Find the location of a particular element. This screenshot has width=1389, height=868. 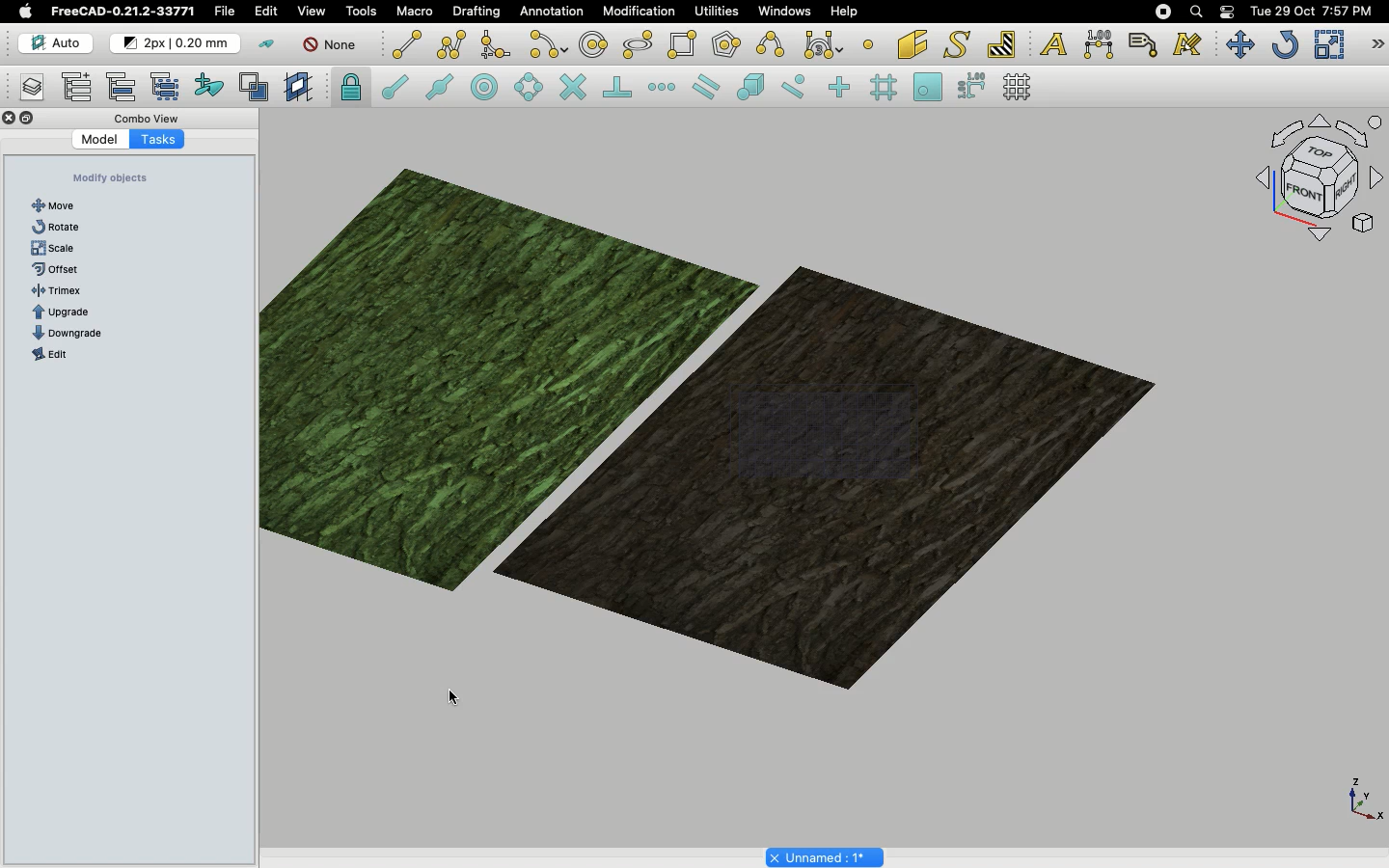

4 Upgrade is located at coordinates (72, 312).